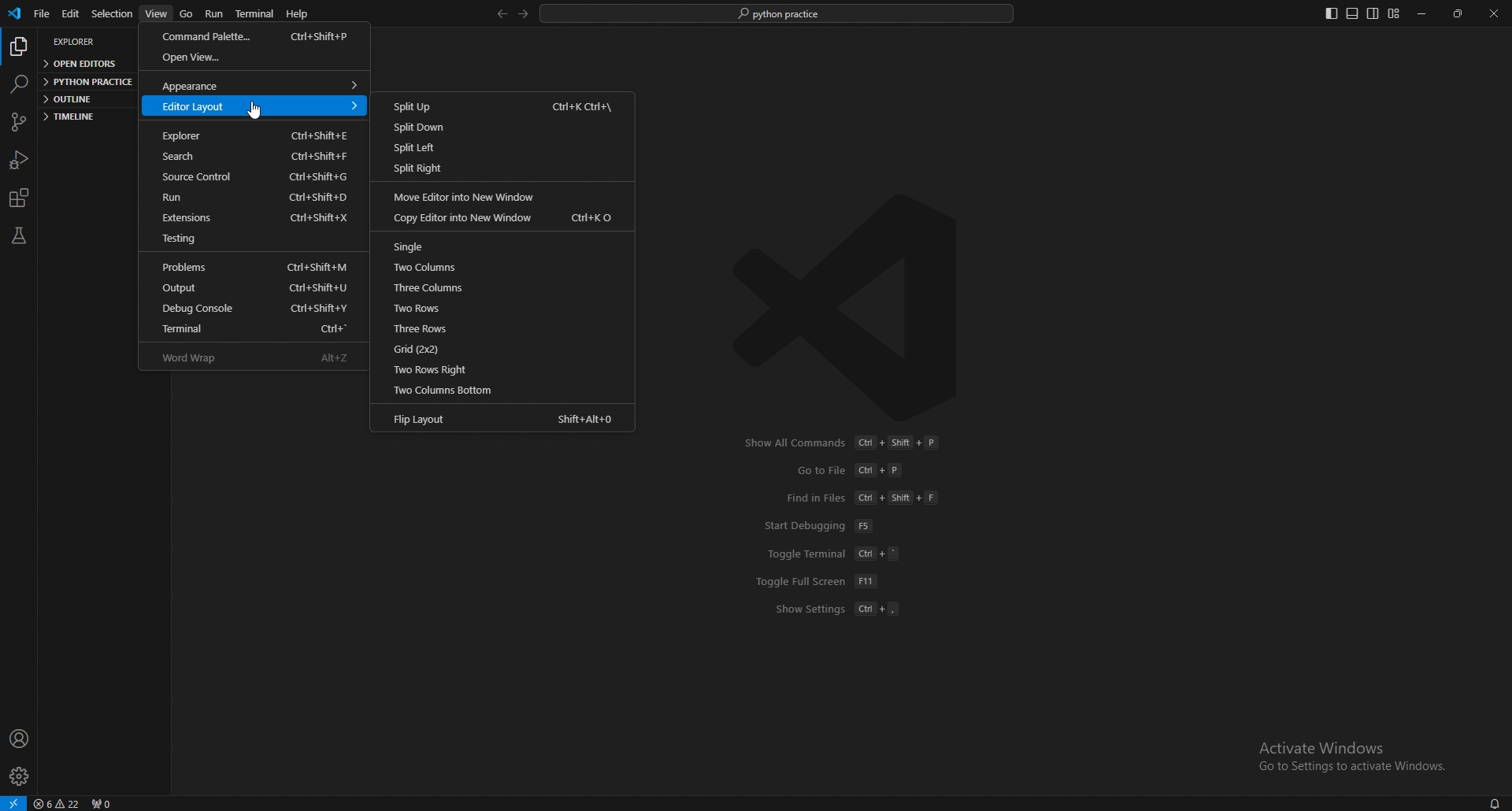  I want to click on move editor into new window, so click(494, 195).